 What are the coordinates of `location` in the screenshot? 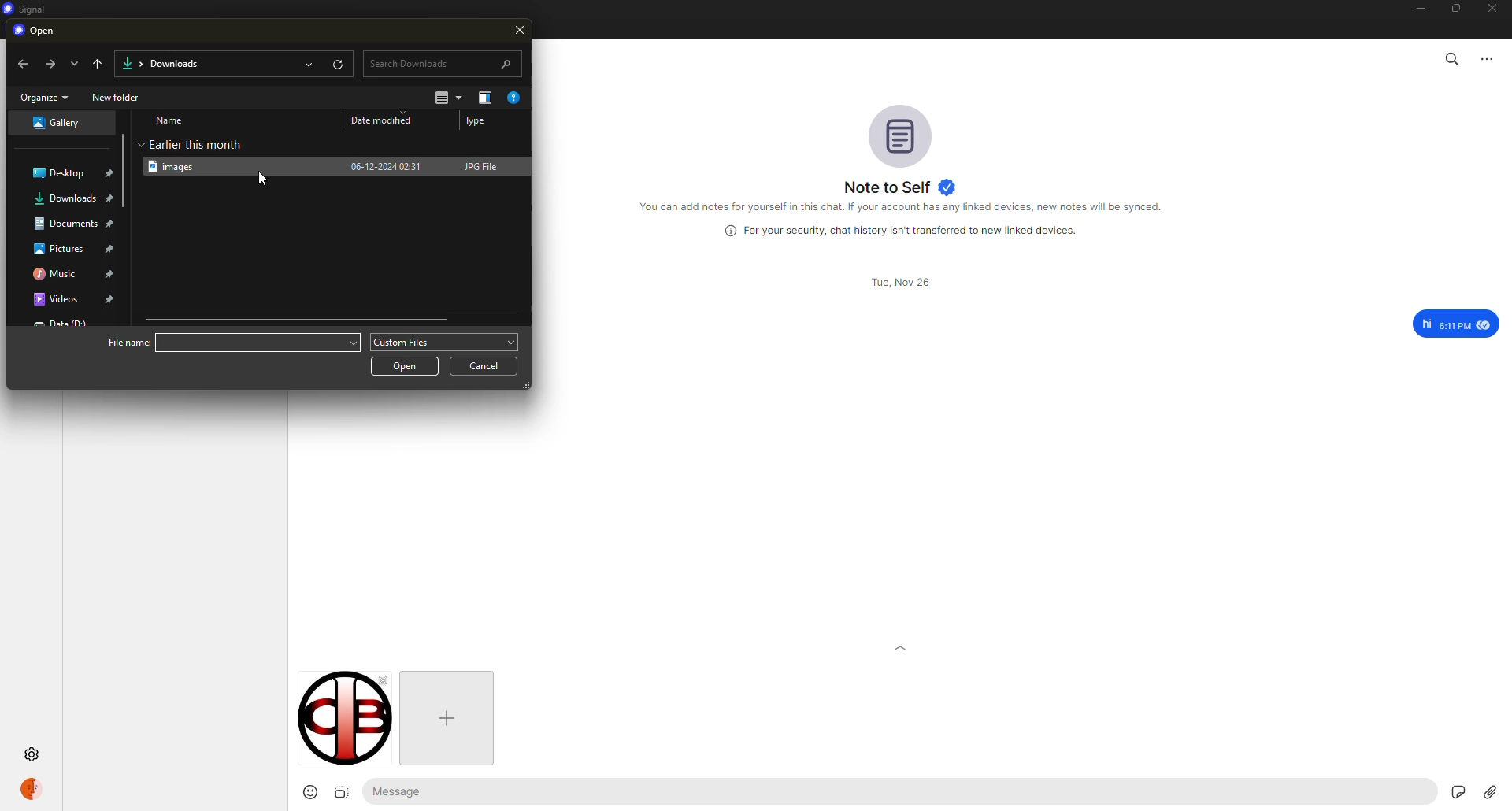 It's located at (54, 123).